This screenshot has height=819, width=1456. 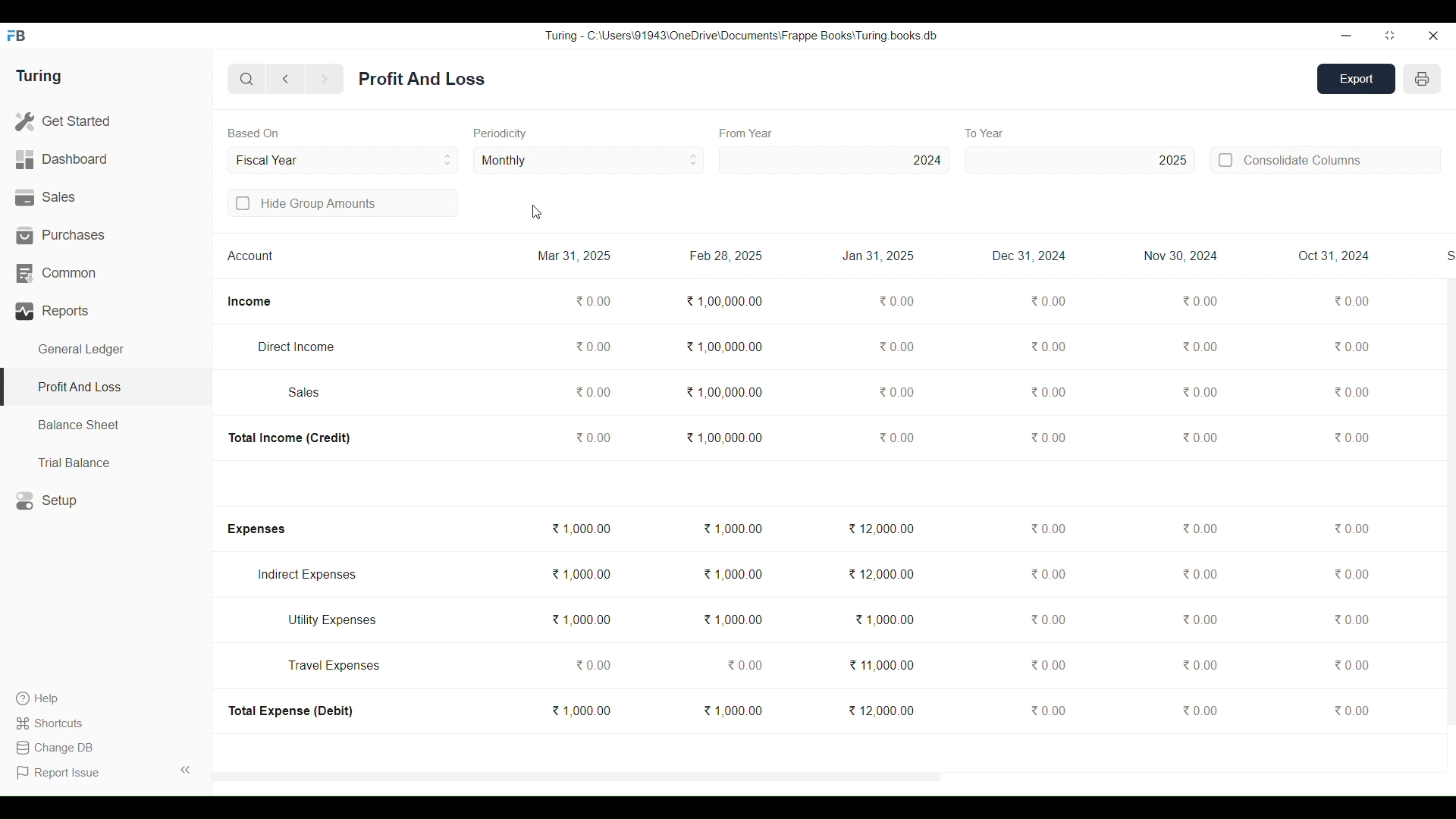 I want to click on 0.00, so click(x=1351, y=392).